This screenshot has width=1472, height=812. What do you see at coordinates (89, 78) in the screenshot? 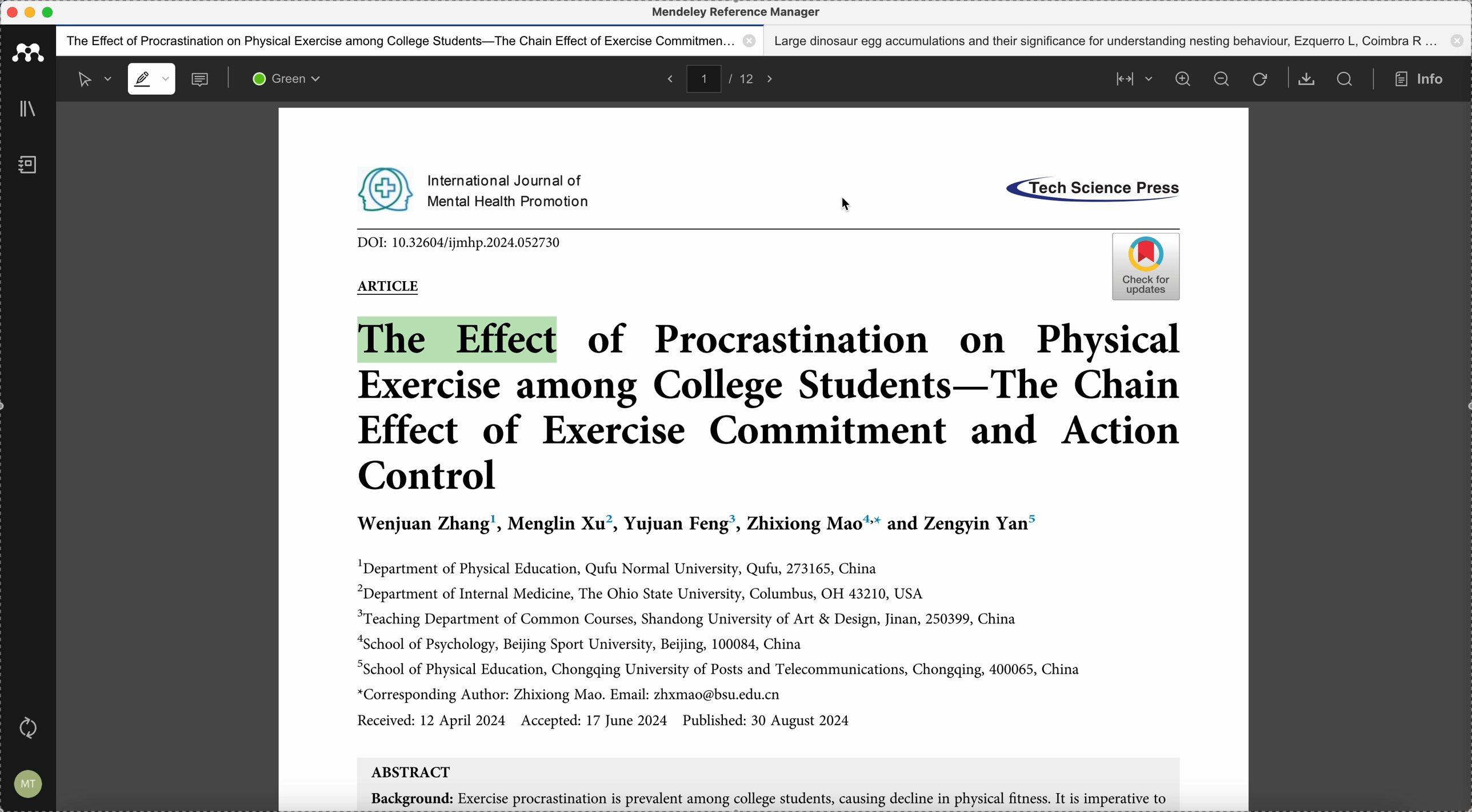
I see `selected mode` at bounding box center [89, 78].